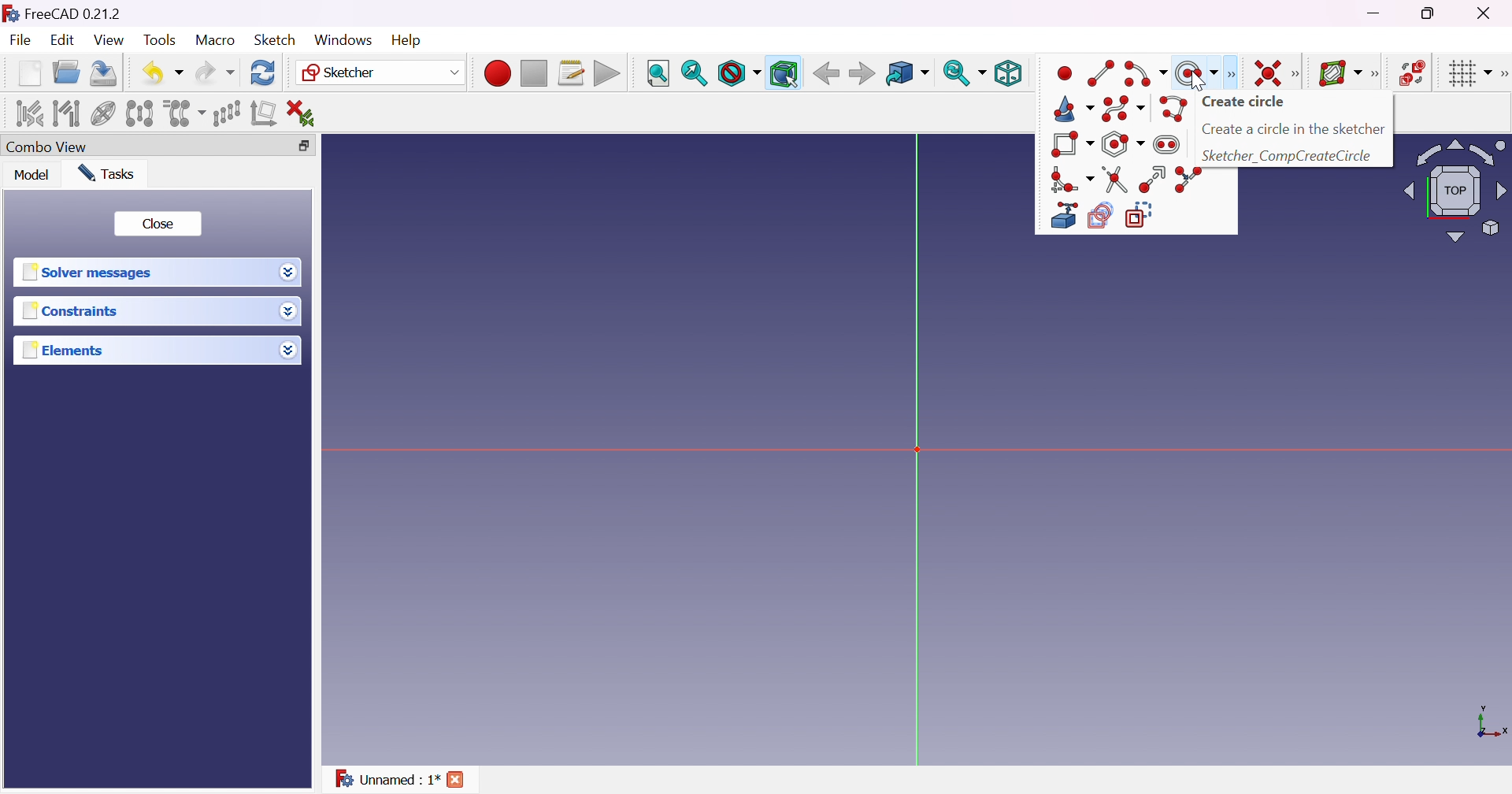  What do you see at coordinates (382, 72) in the screenshot?
I see `Sketcher` at bounding box center [382, 72].